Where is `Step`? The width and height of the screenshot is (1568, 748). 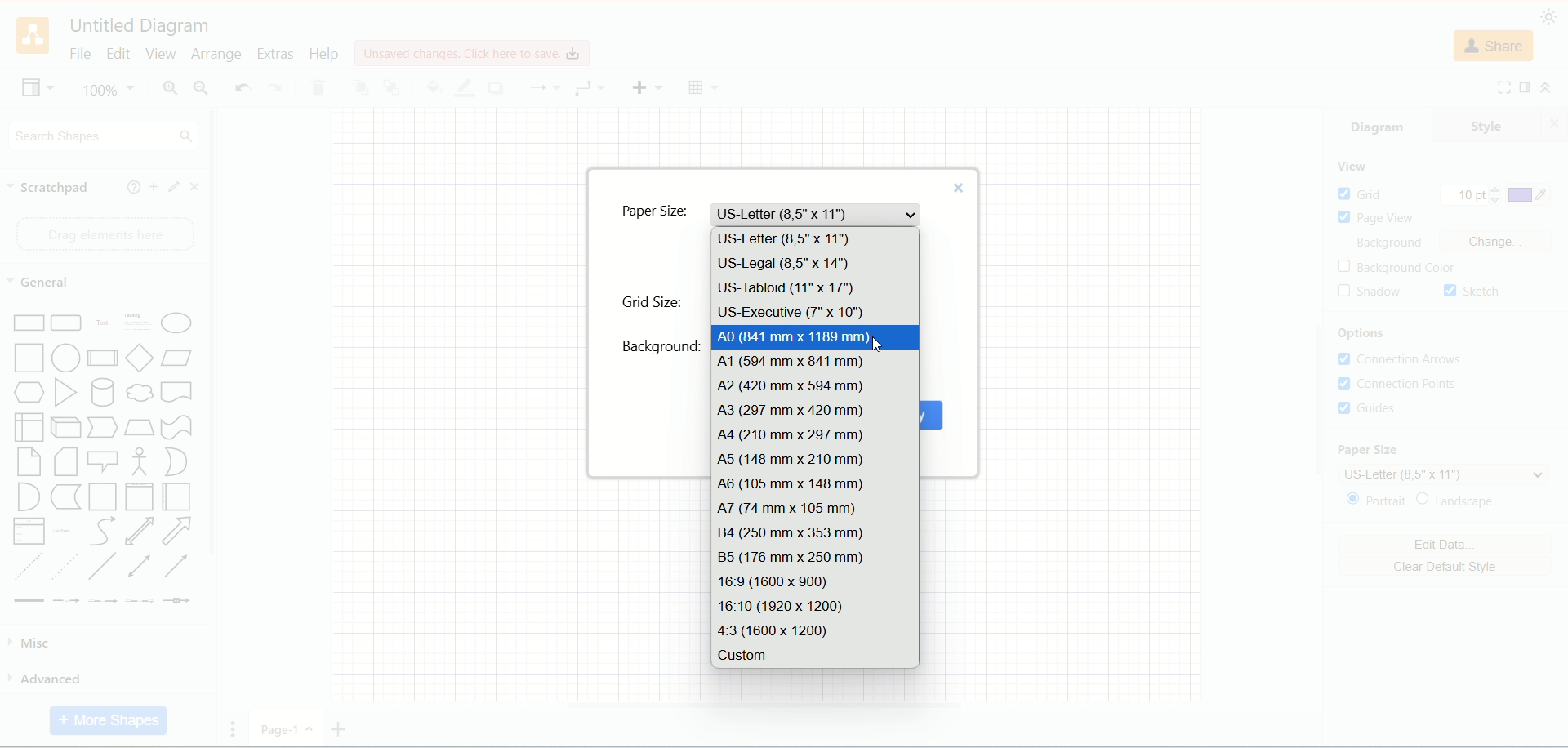 Step is located at coordinates (103, 428).